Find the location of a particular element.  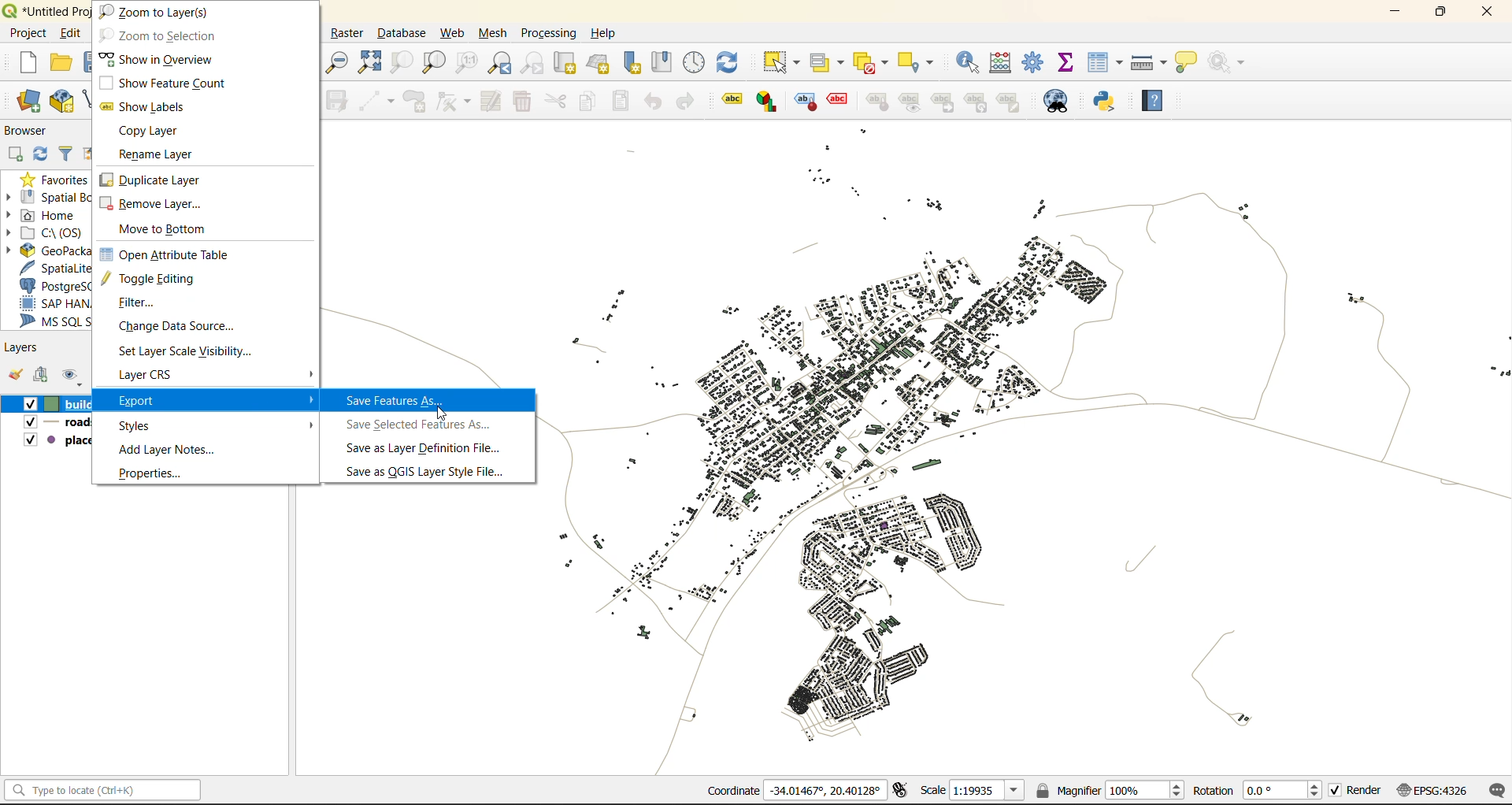

modify is located at coordinates (488, 100).